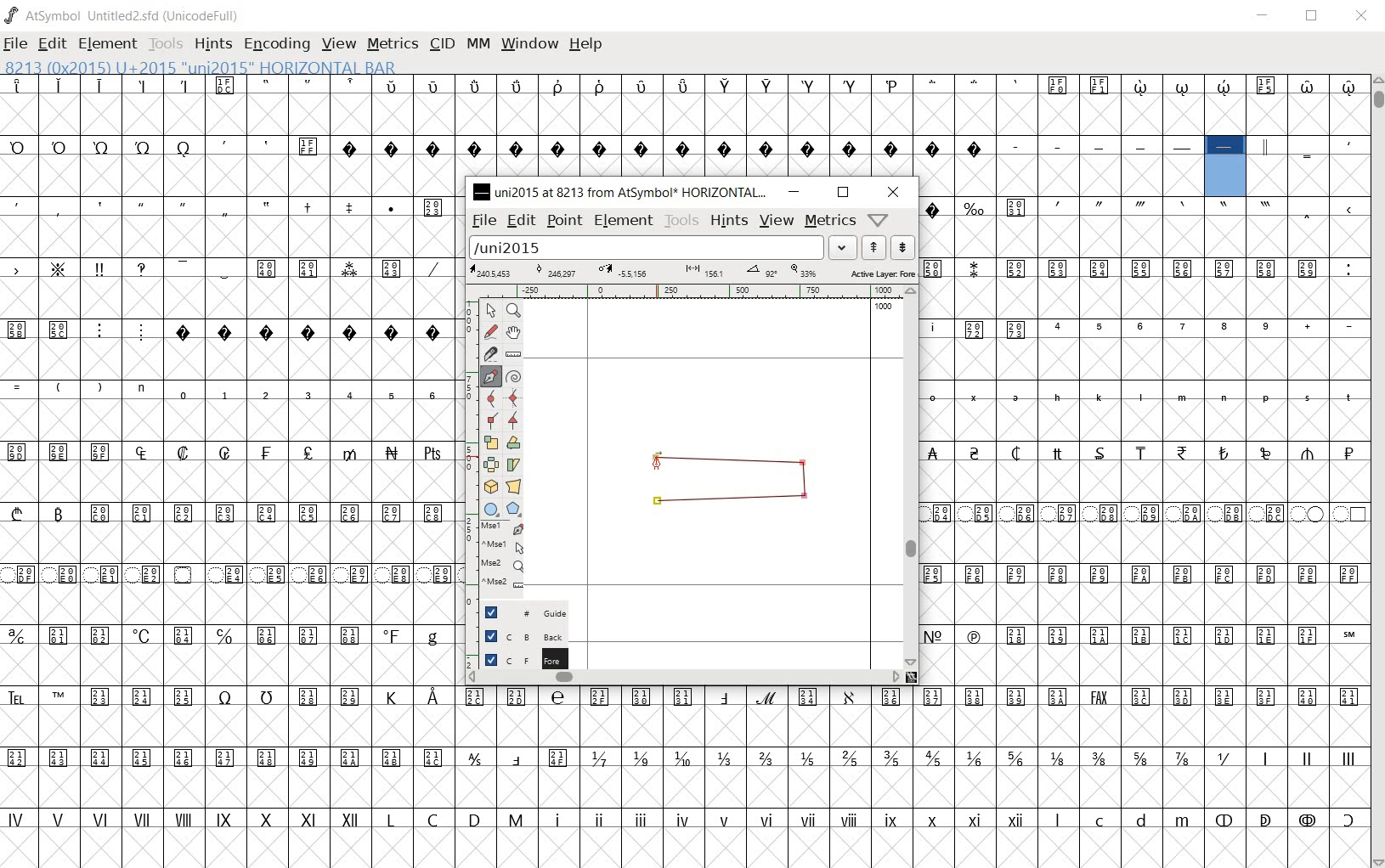 The width and height of the screenshot is (1385, 868). I want to click on show the next word on the list, so click(873, 247).